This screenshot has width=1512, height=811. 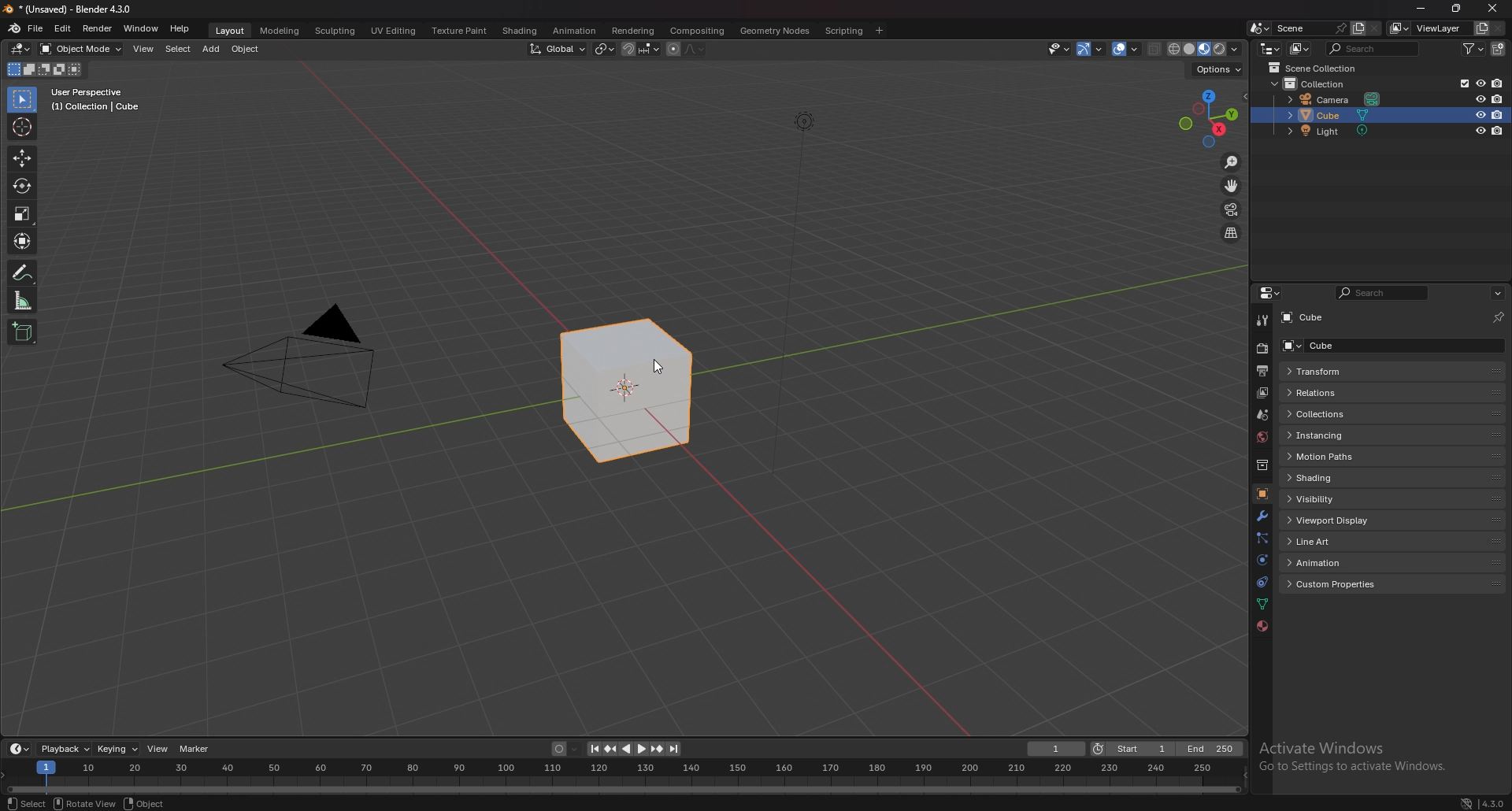 What do you see at coordinates (676, 749) in the screenshot?
I see `jump to endpoint` at bounding box center [676, 749].